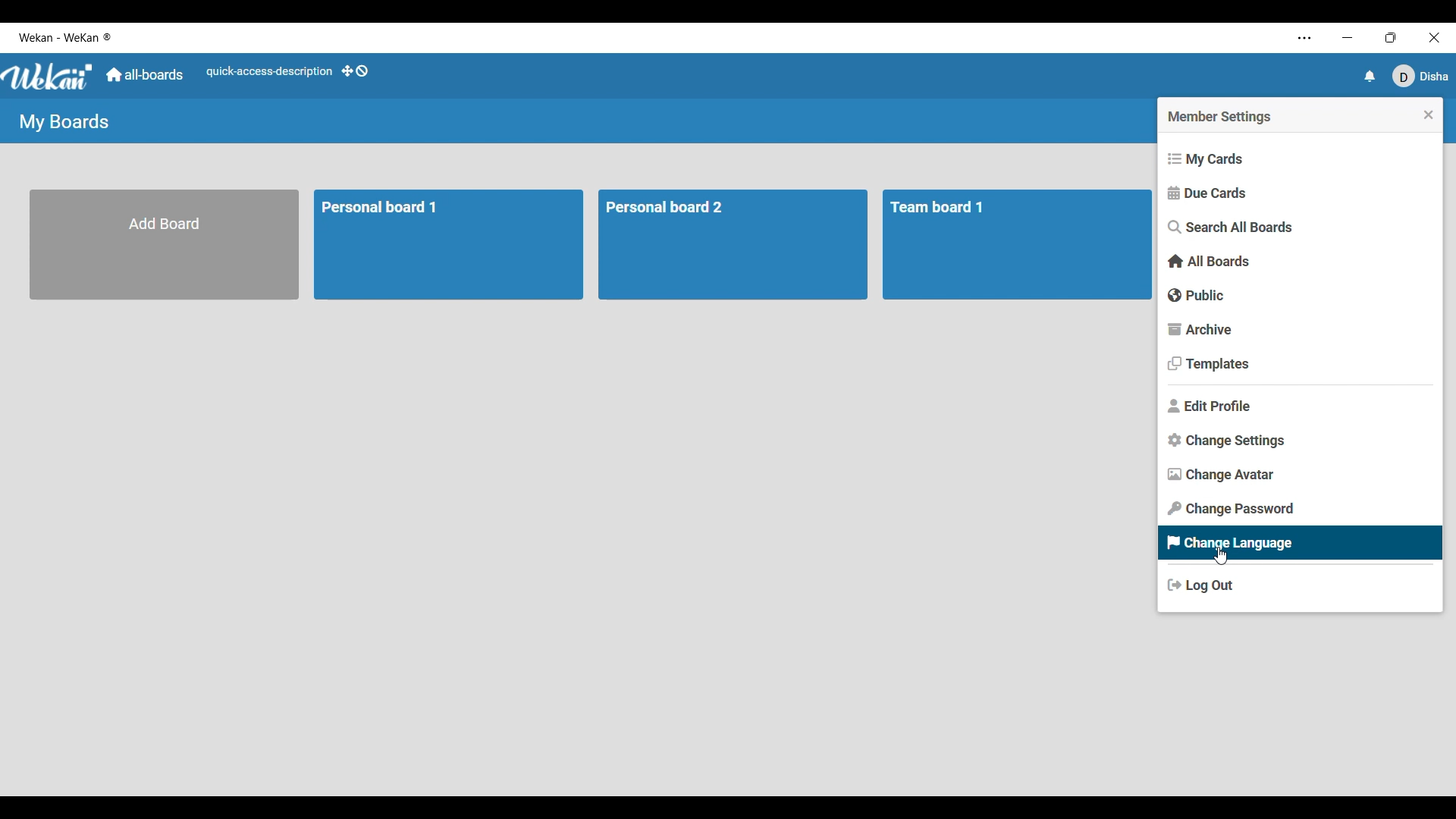 Image resolution: width=1456 pixels, height=819 pixels. Describe the element at coordinates (1300, 295) in the screenshot. I see `Public` at that location.